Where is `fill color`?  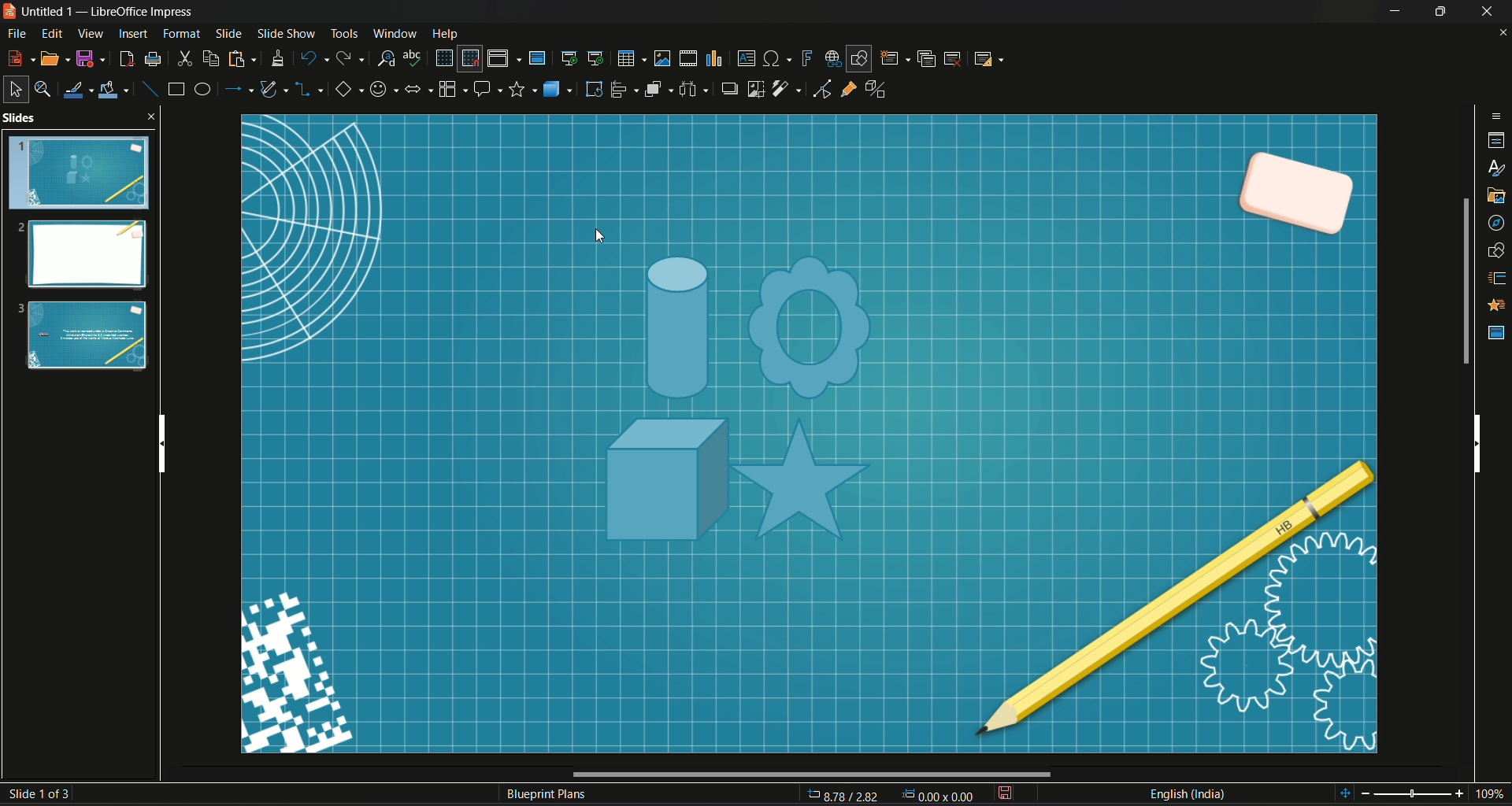
fill color is located at coordinates (114, 91).